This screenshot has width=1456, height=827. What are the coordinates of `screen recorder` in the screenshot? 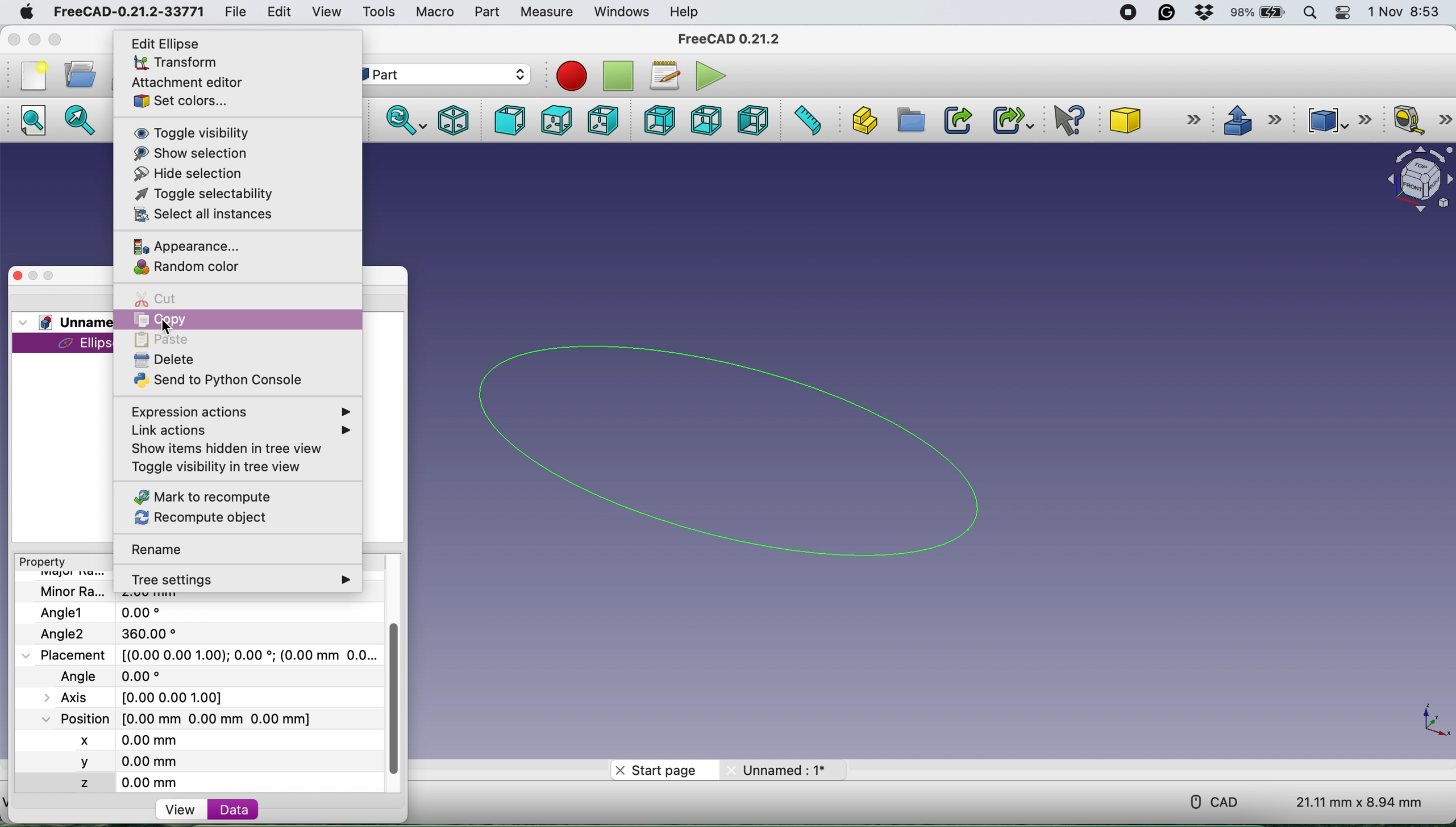 It's located at (1130, 12).